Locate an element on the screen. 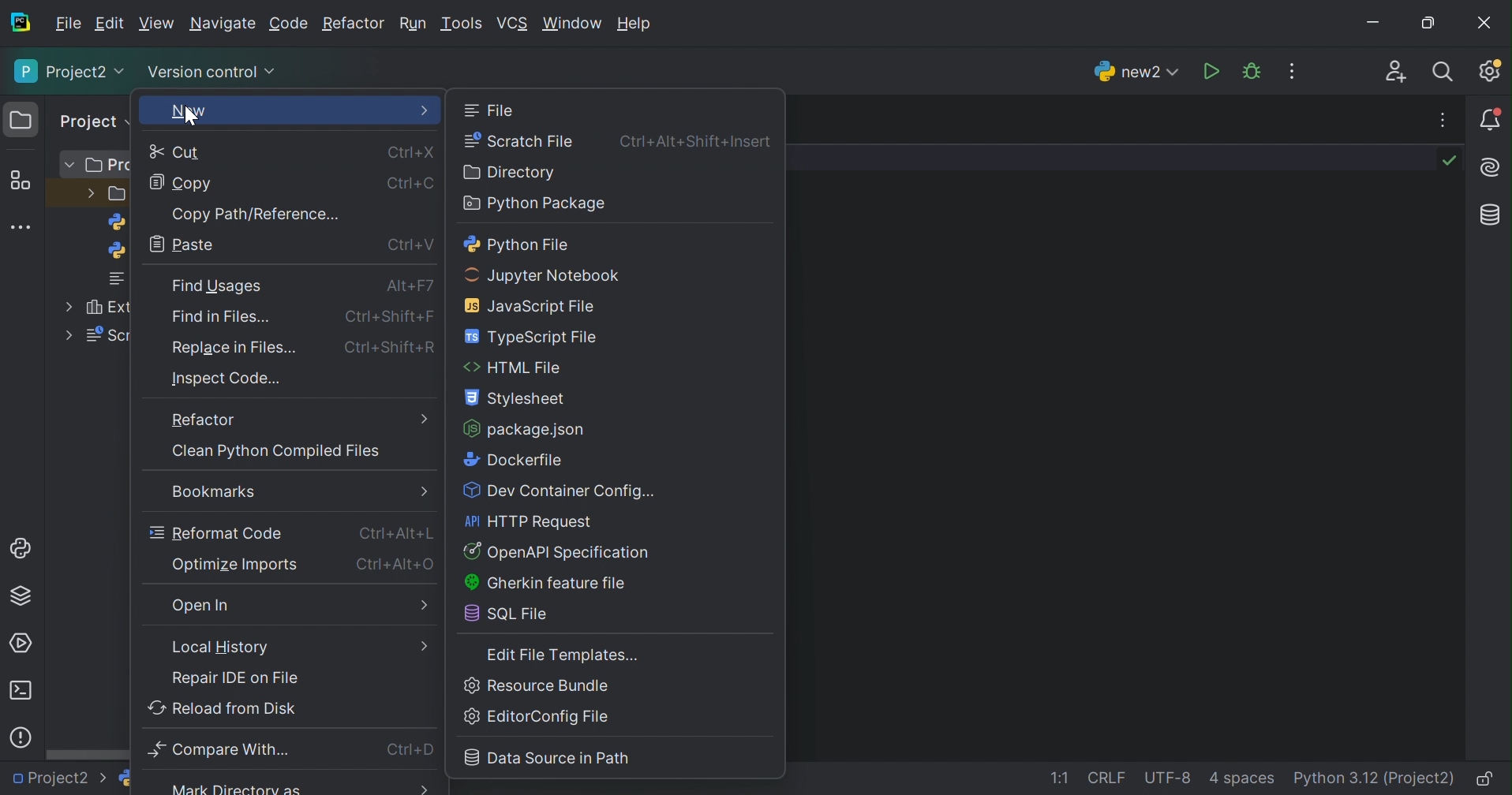 This screenshot has width=1512, height=795. Code with me is located at coordinates (1396, 72).